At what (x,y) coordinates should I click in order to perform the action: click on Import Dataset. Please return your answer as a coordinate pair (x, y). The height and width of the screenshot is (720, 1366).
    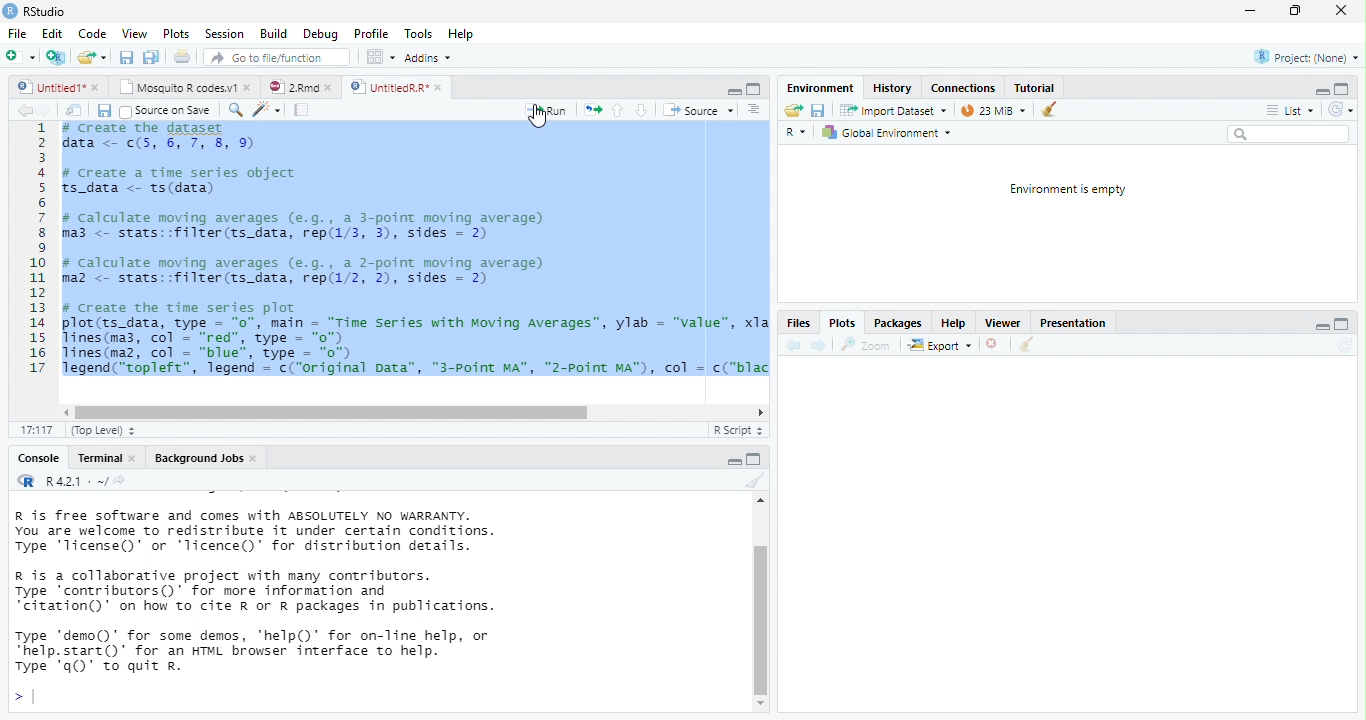
    Looking at the image, I should click on (895, 110).